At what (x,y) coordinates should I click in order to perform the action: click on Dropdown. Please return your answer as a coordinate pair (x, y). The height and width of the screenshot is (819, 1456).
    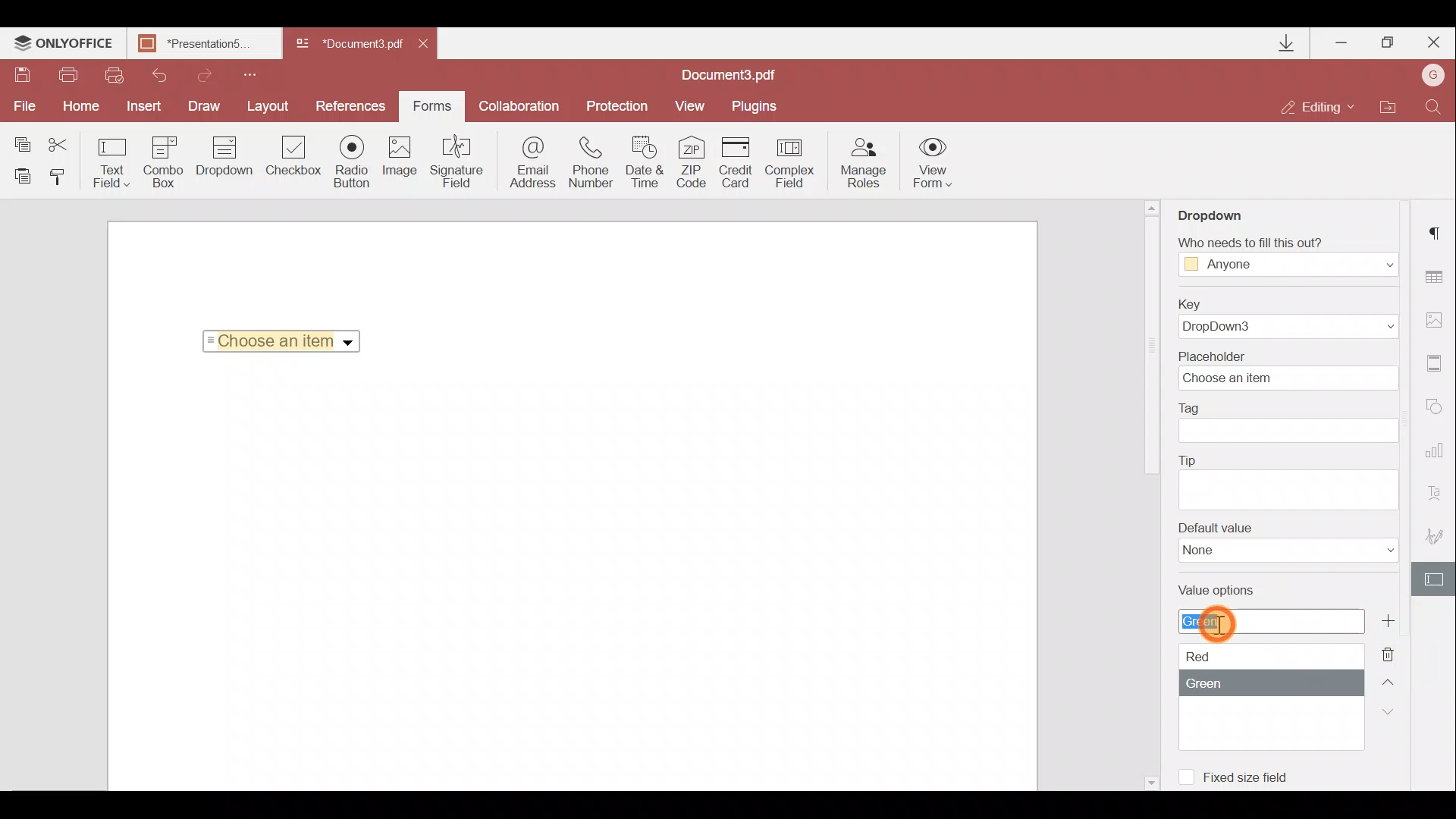
    Looking at the image, I should click on (221, 165).